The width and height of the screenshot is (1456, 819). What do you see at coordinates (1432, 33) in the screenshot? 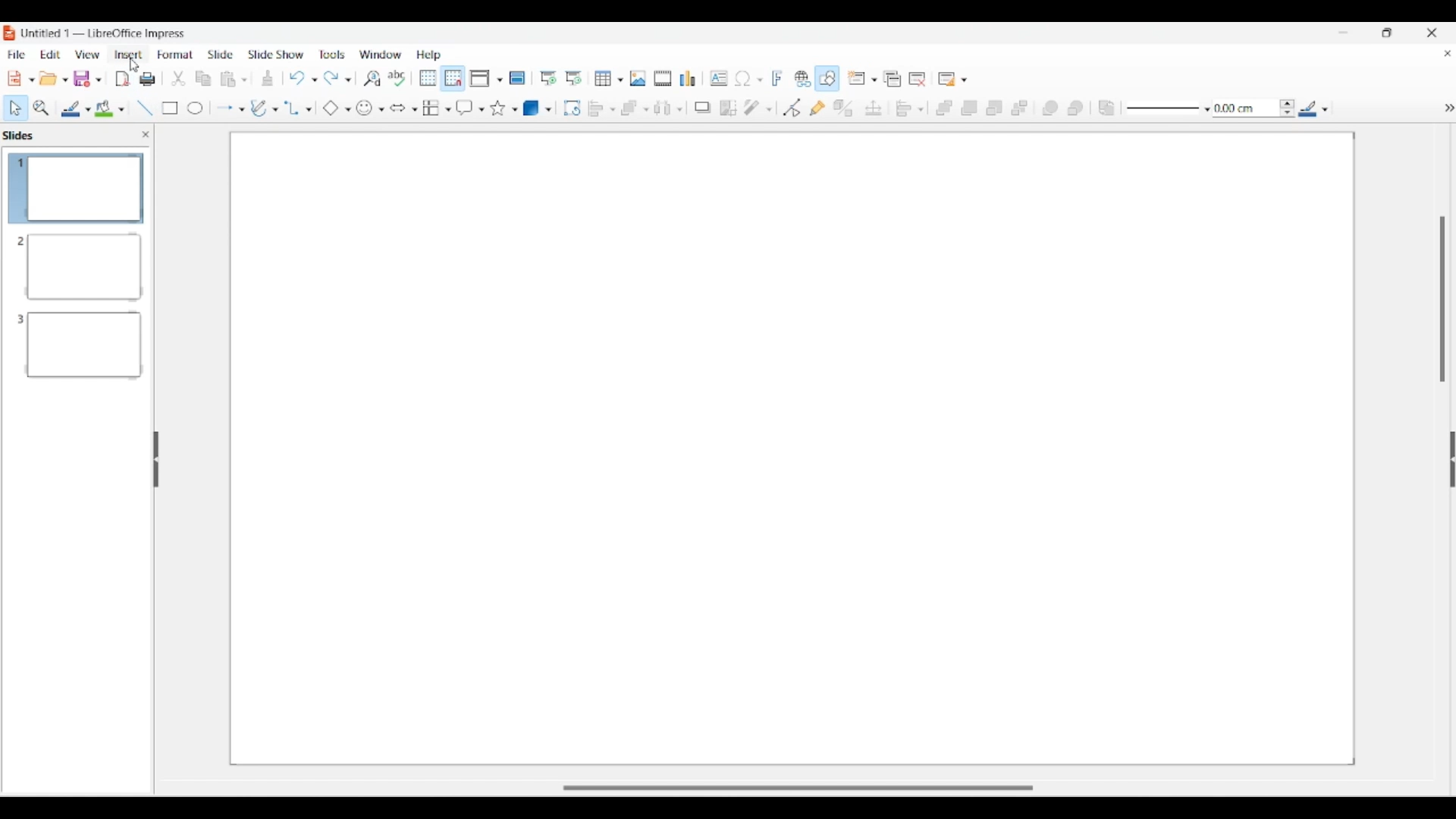
I see `Close interface` at bounding box center [1432, 33].